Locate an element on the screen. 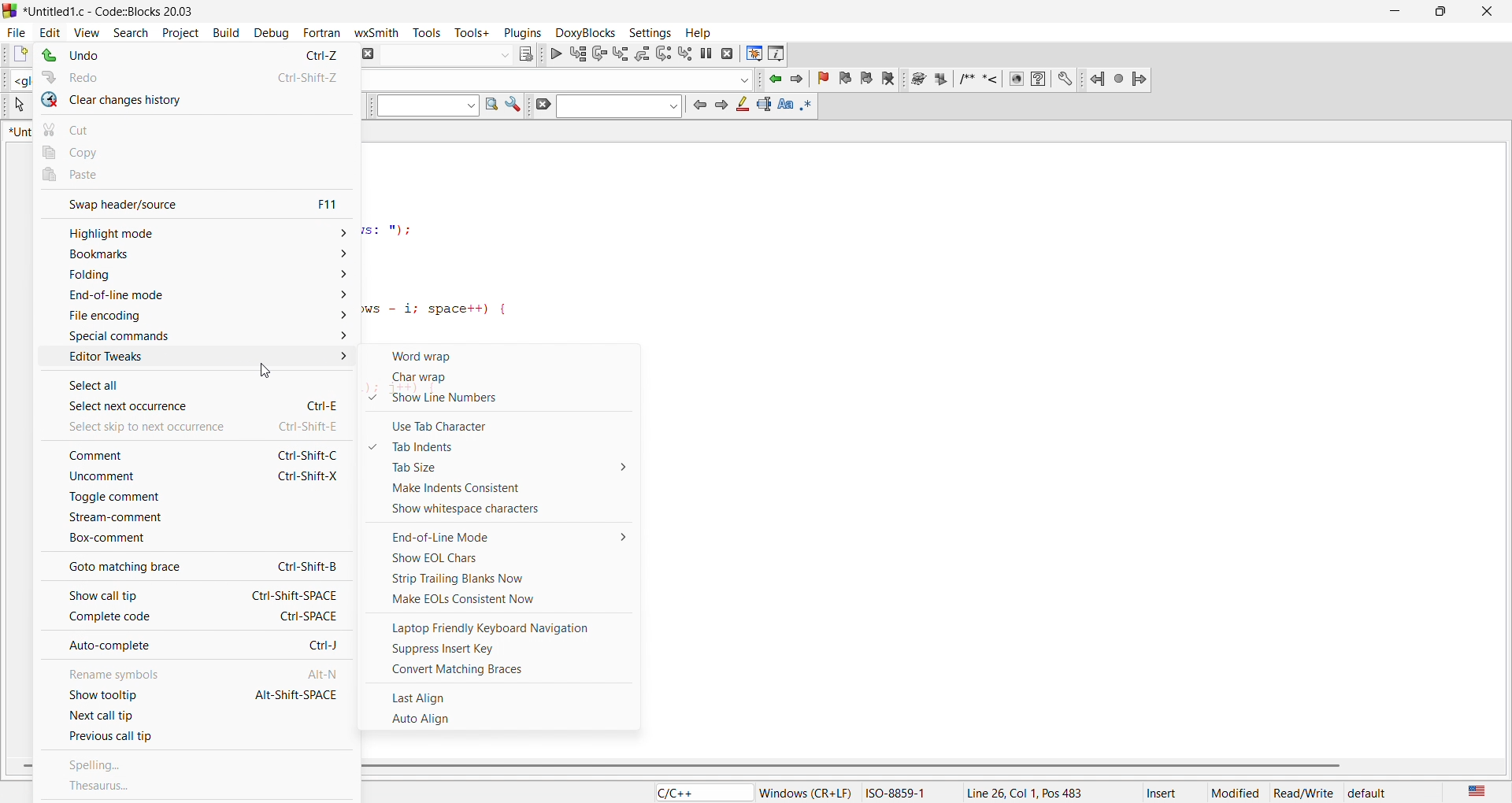 This screenshot has height=803, width=1512. input box is located at coordinates (557, 76).